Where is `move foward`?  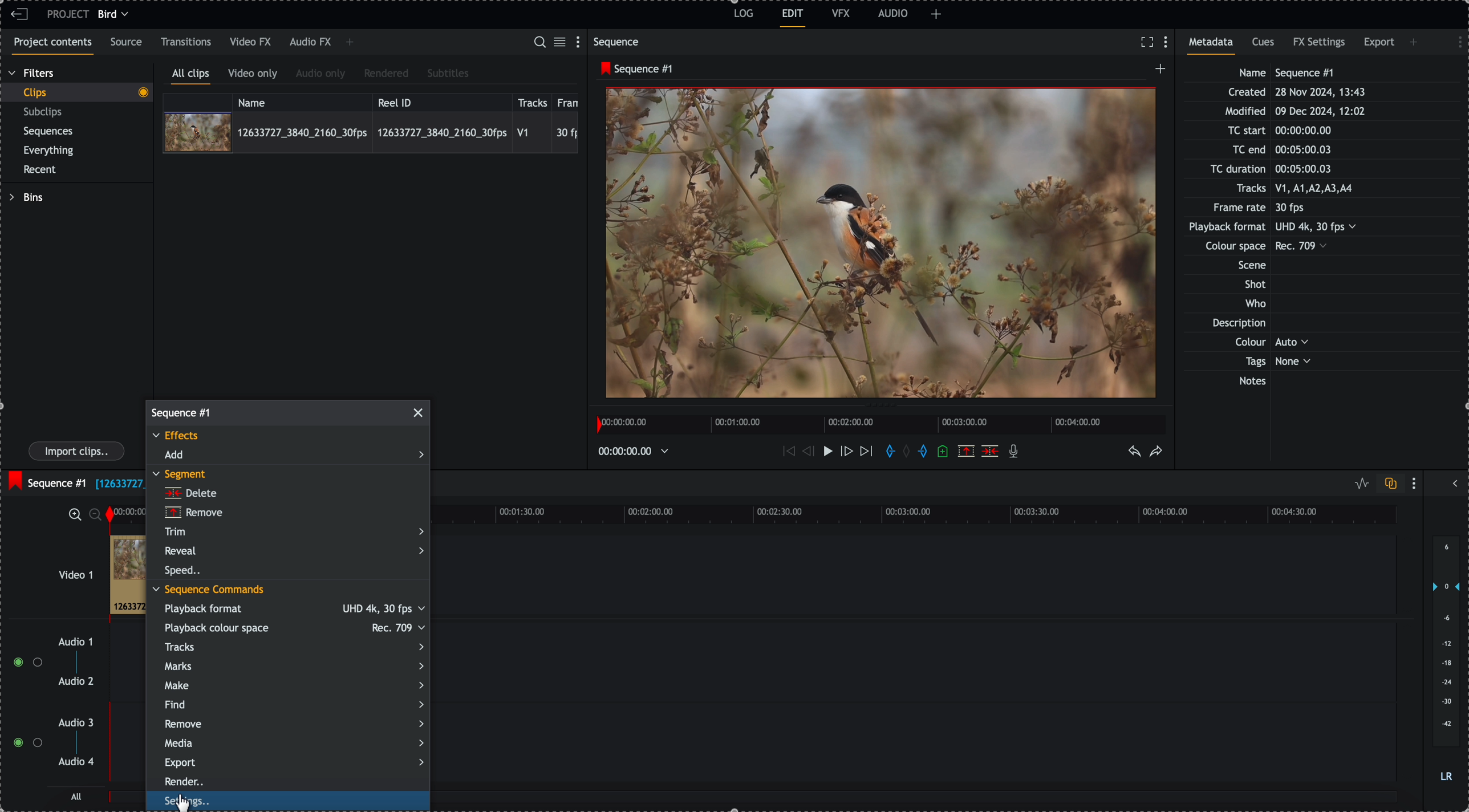 move foward is located at coordinates (866, 453).